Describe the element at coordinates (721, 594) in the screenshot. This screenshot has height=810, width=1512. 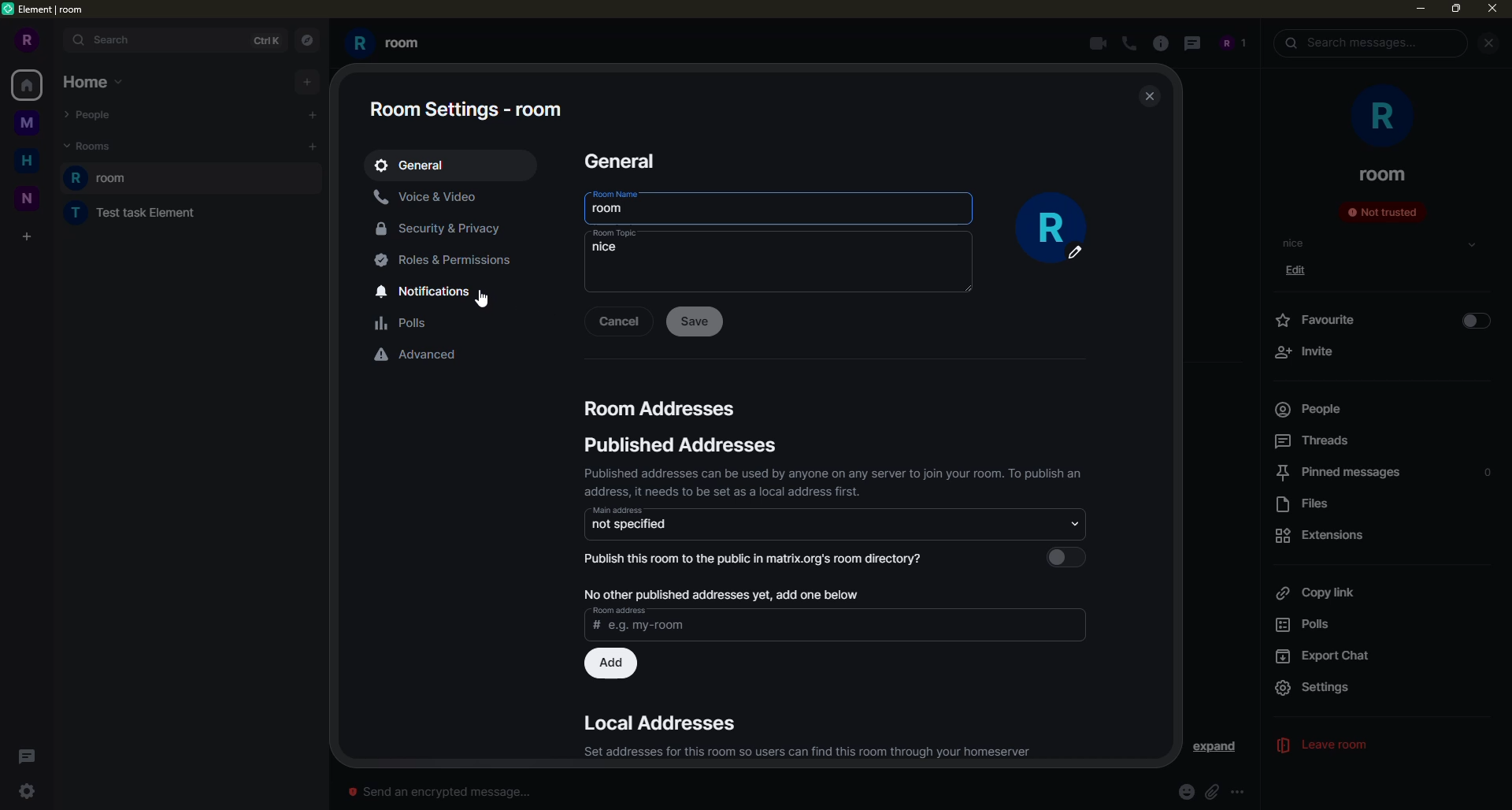
I see `info` at that location.